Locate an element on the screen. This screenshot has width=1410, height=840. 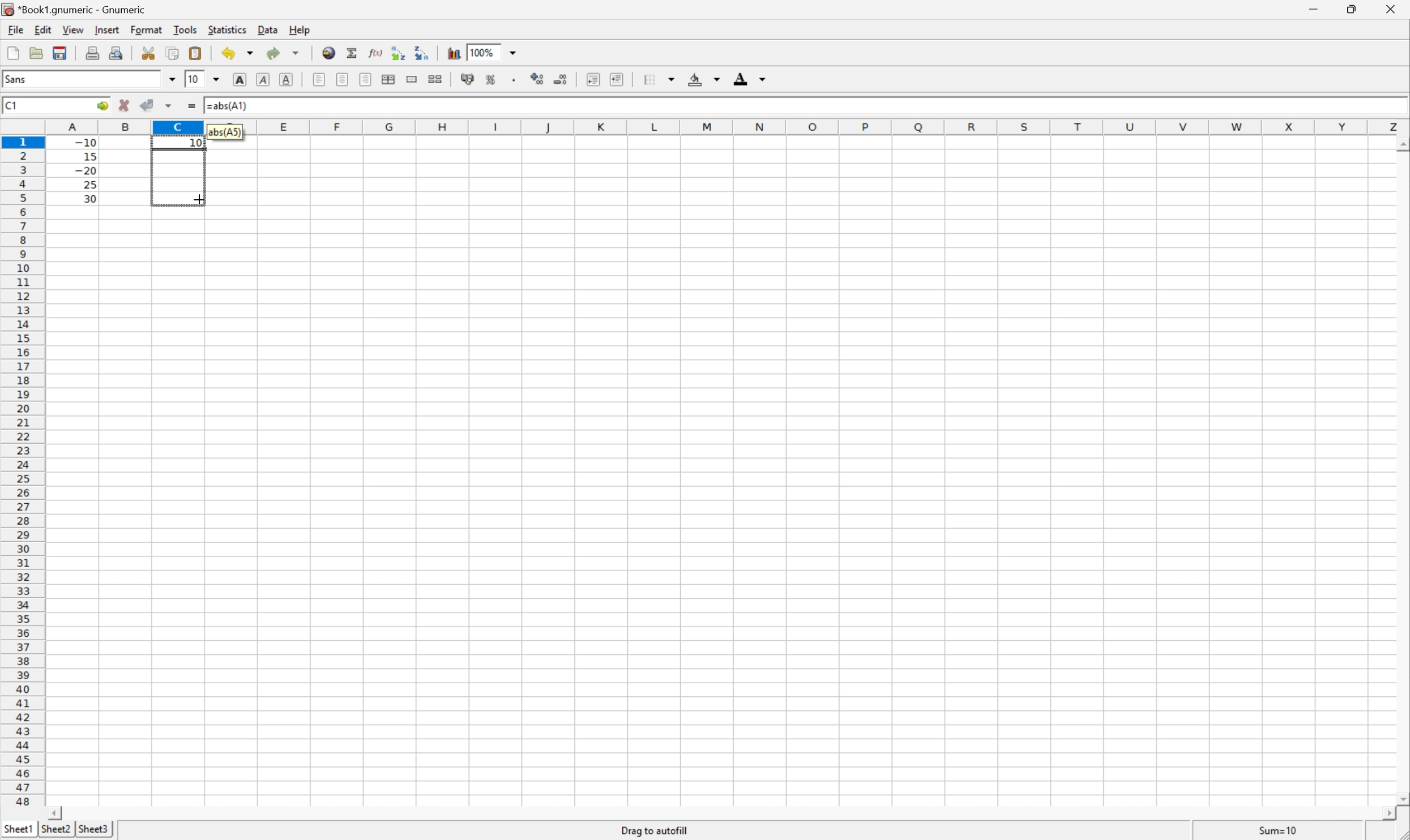
Merge a range of cells is located at coordinates (413, 79).